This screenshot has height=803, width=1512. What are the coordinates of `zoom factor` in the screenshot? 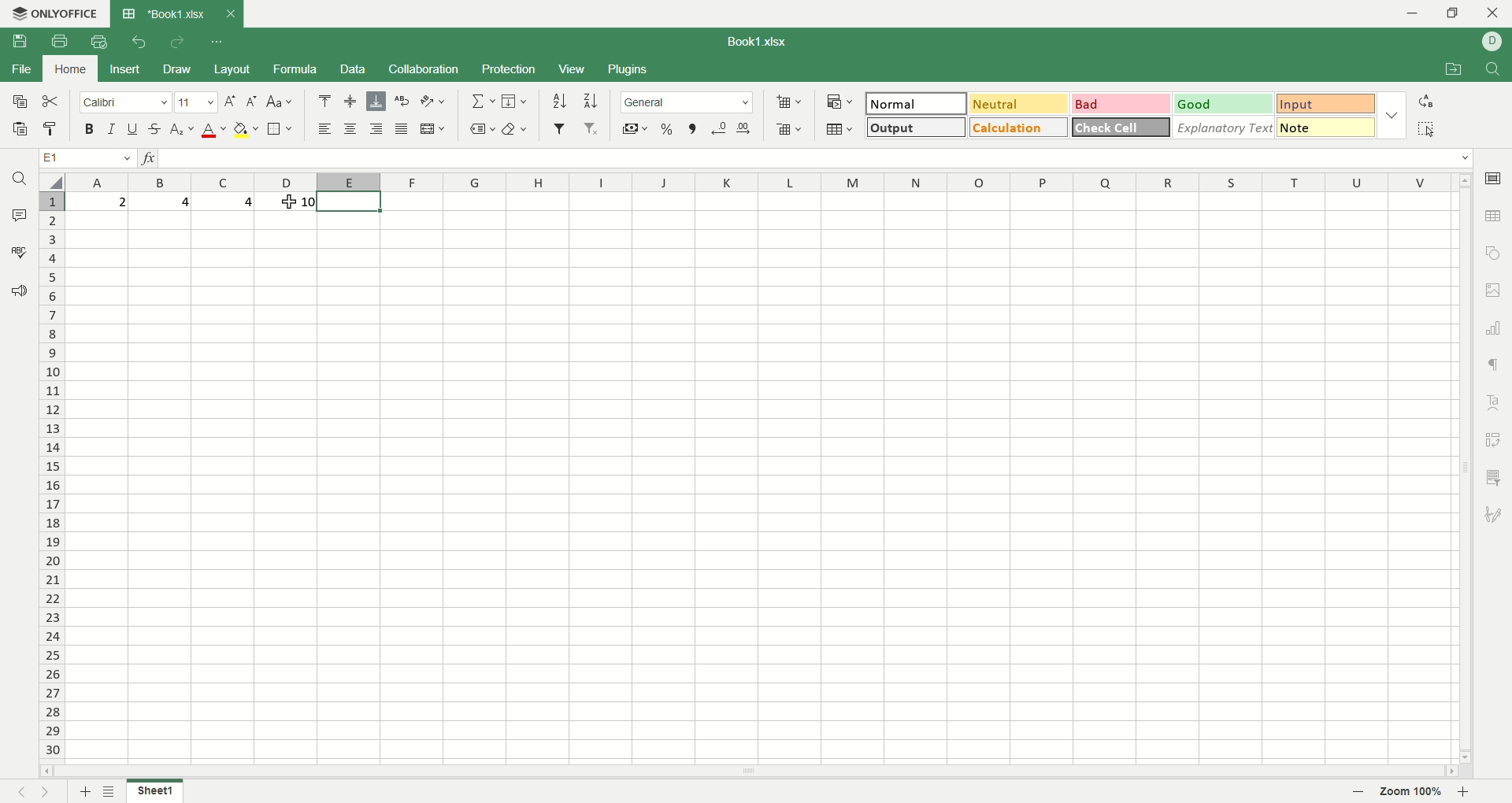 It's located at (1414, 792).